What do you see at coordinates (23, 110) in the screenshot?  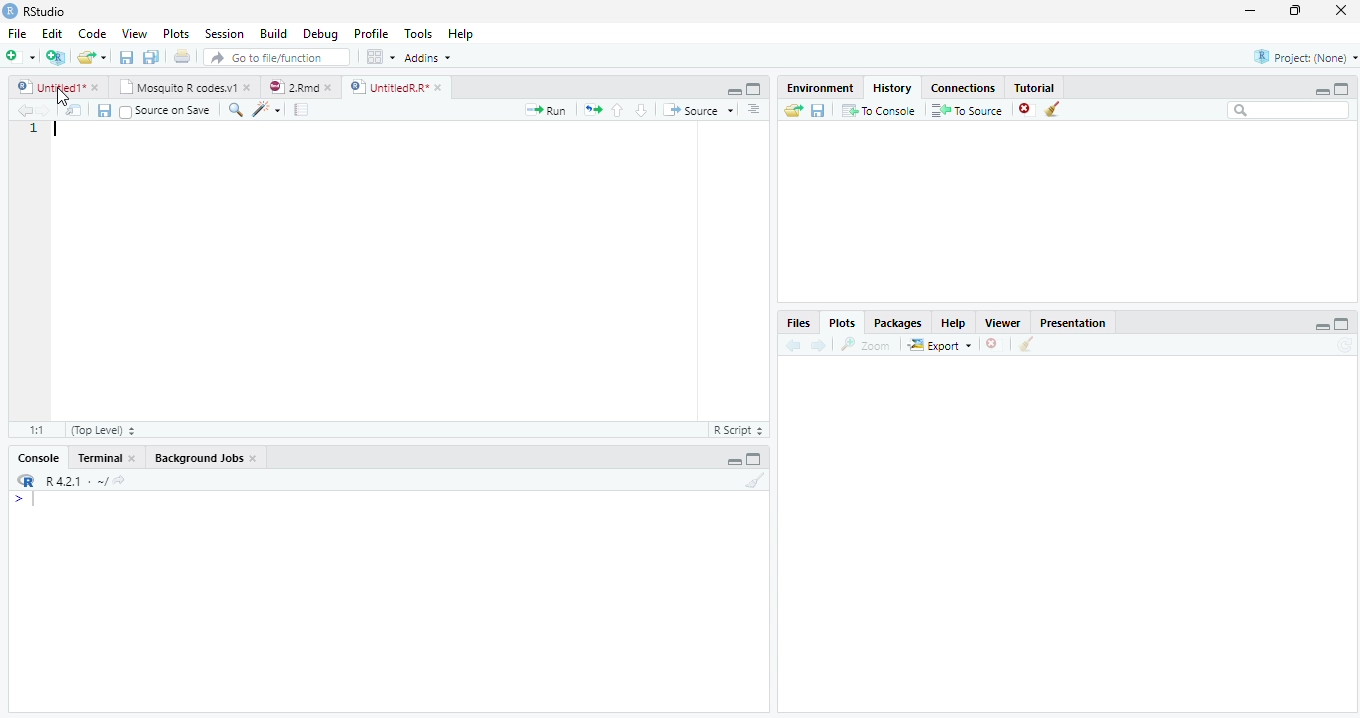 I see `Back` at bounding box center [23, 110].